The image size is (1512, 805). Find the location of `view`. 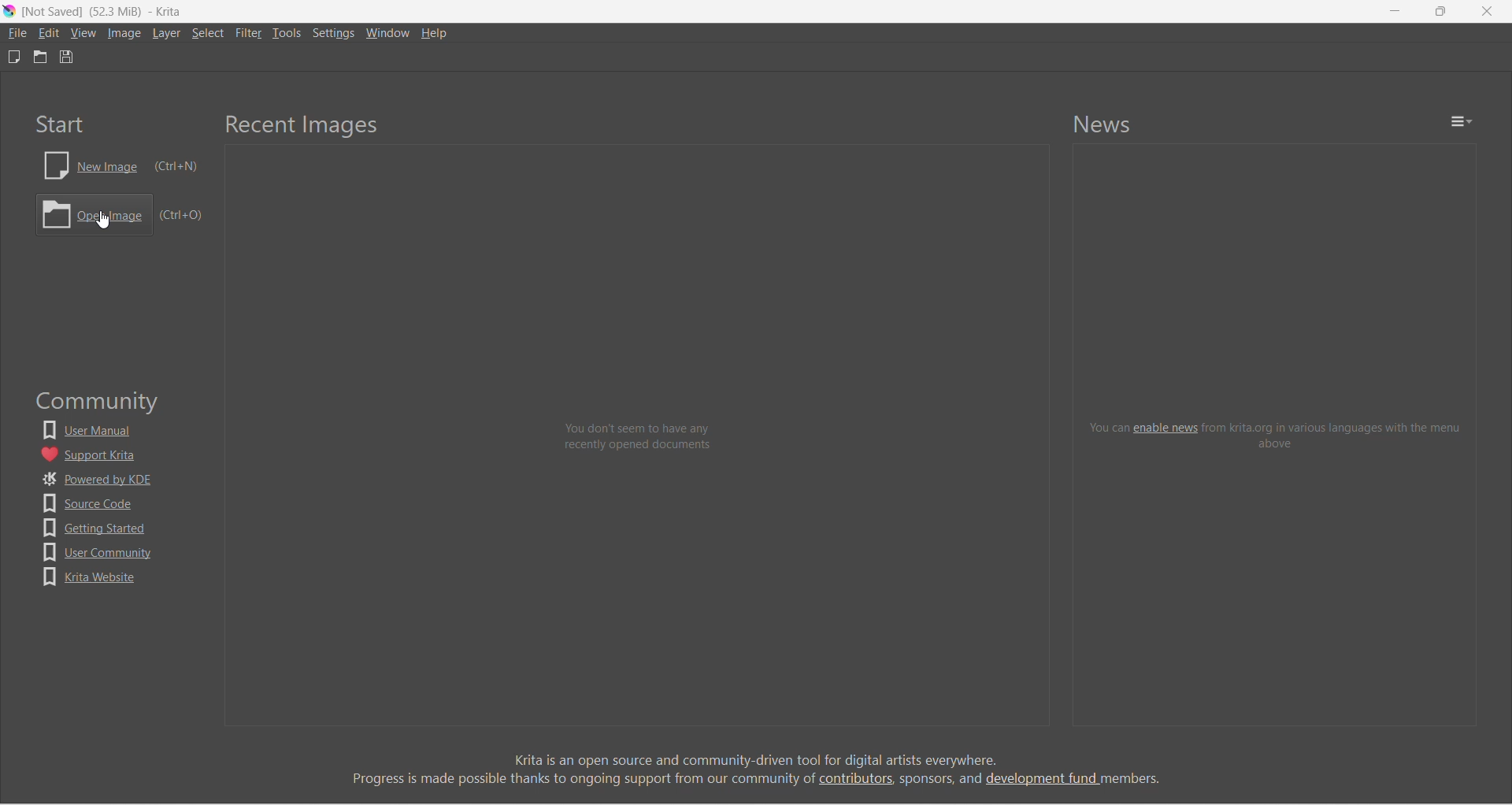

view is located at coordinates (83, 33).